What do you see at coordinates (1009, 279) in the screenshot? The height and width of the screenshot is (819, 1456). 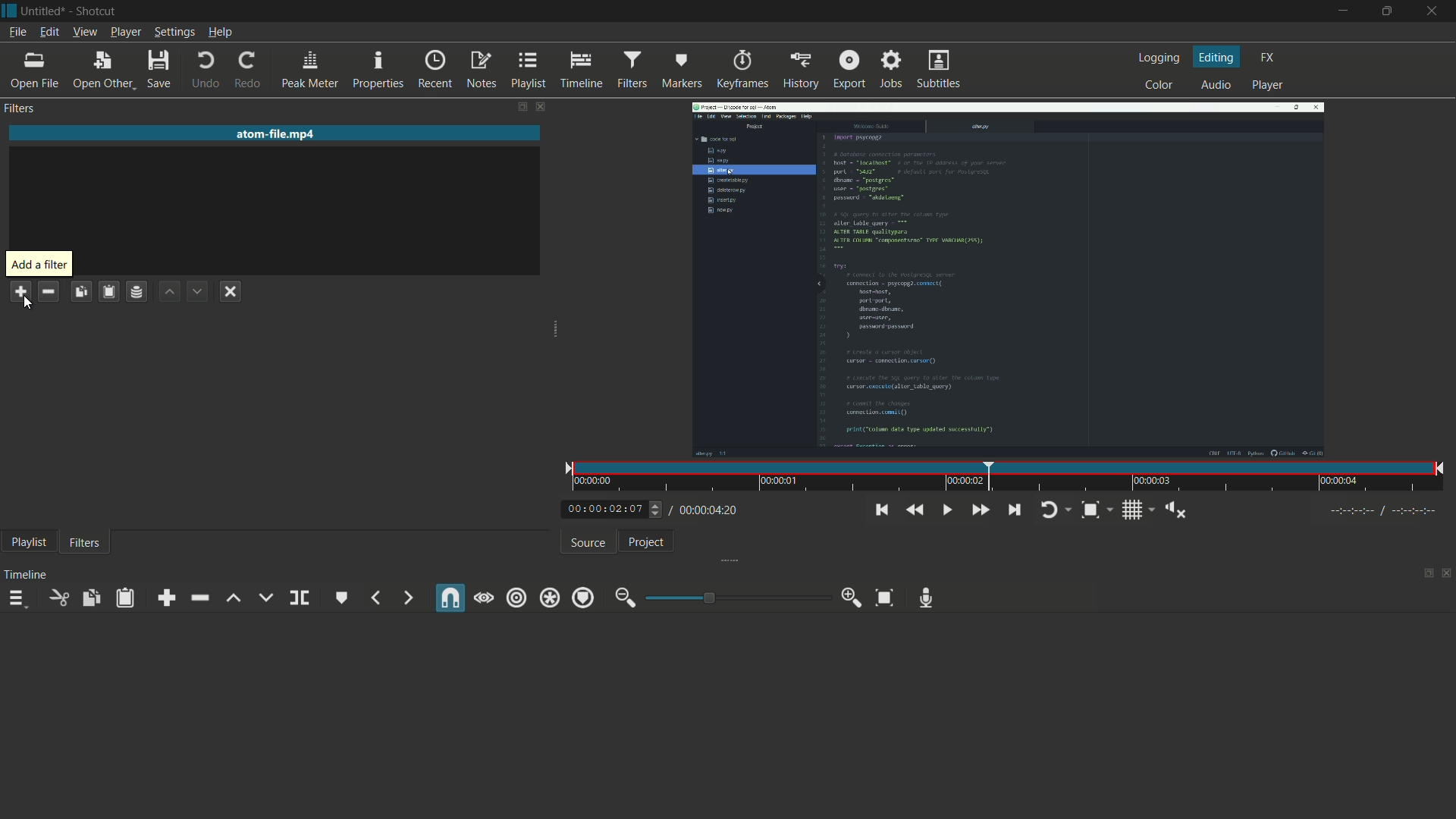 I see `imported file` at bounding box center [1009, 279].